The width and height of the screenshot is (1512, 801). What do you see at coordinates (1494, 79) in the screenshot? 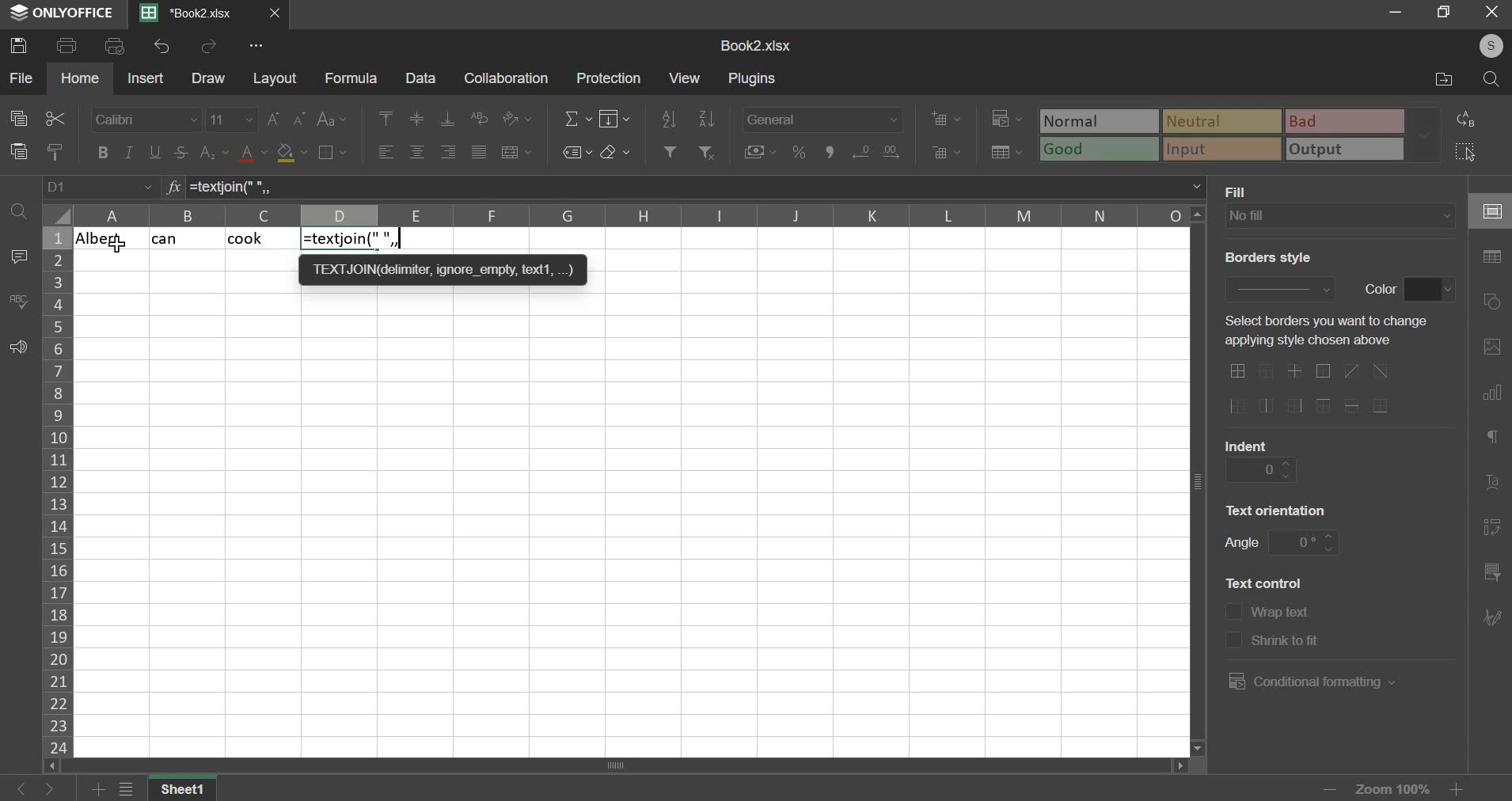
I see `search` at bounding box center [1494, 79].